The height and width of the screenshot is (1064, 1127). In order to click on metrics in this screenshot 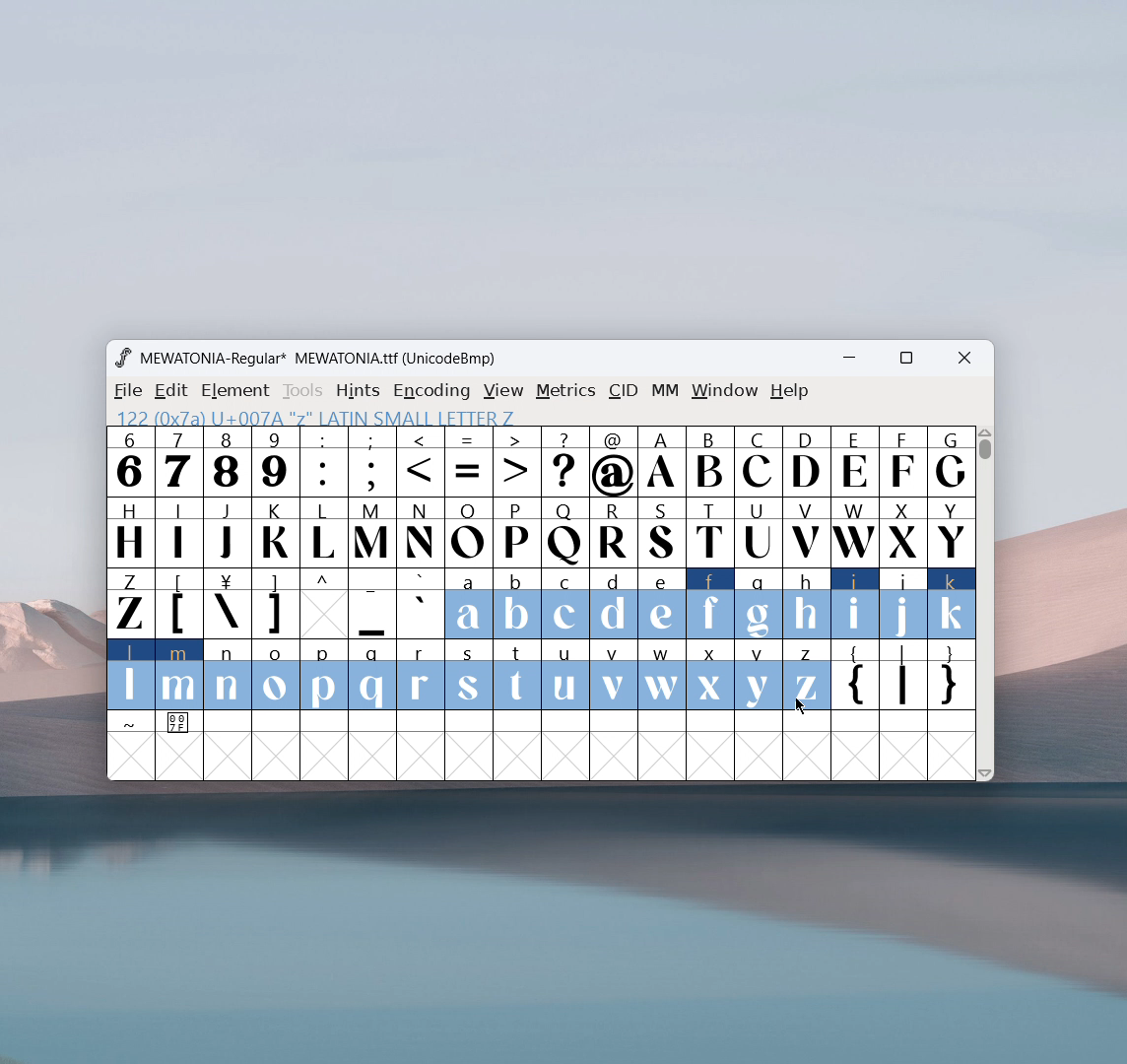, I will do `click(565, 391)`.